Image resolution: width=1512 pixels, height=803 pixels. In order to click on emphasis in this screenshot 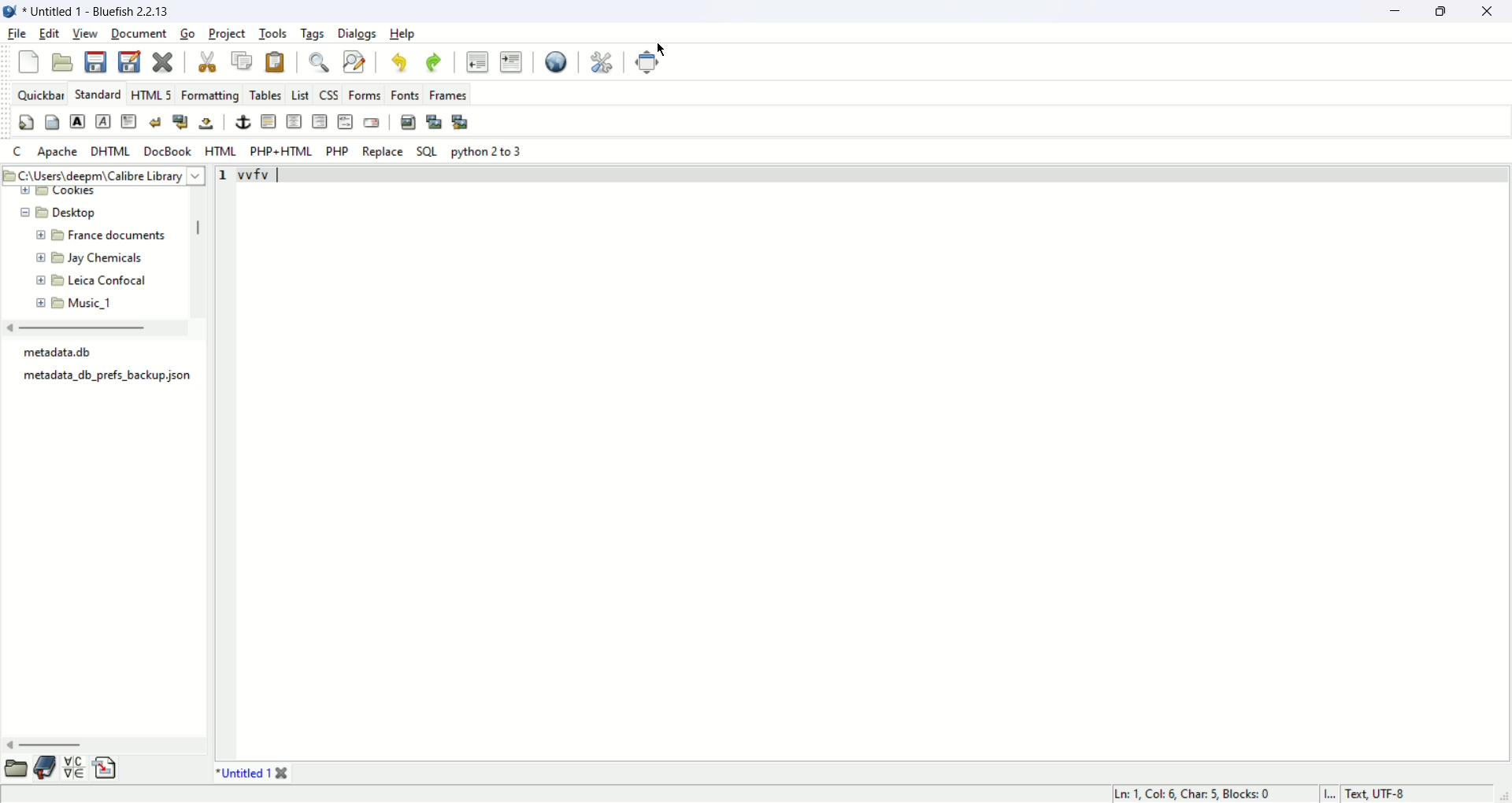, I will do `click(104, 121)`.